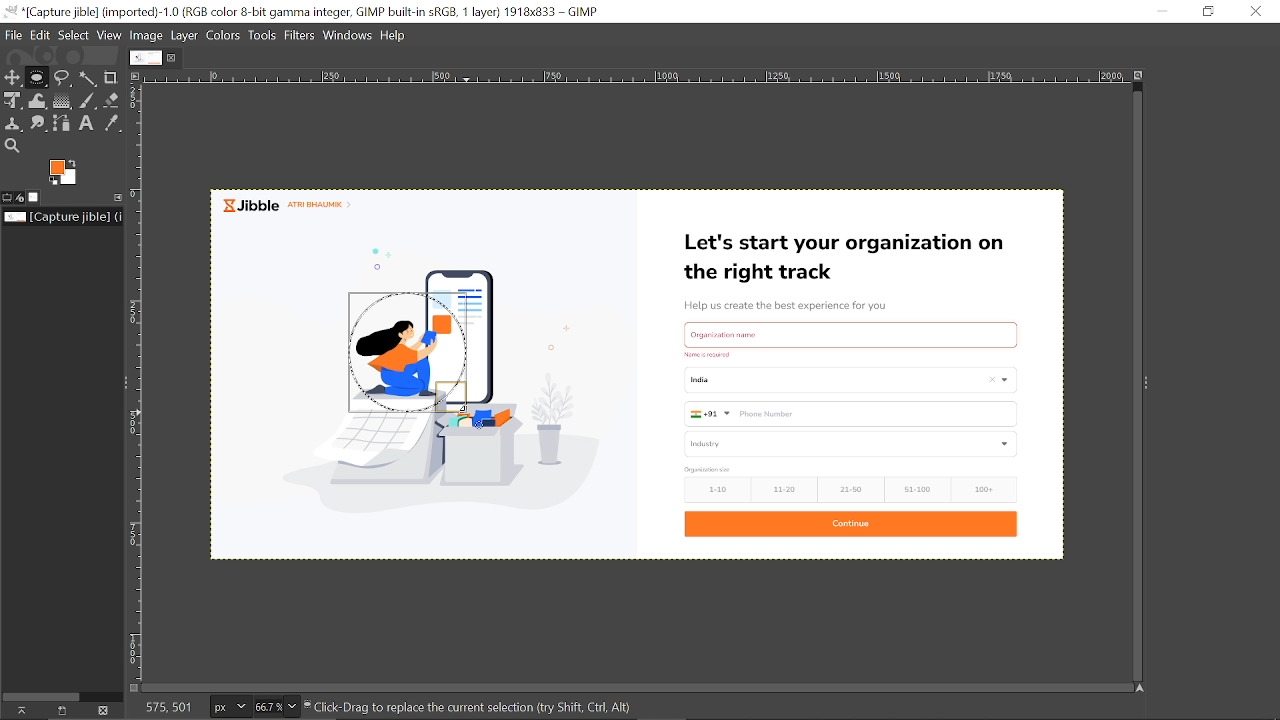 The image size is (1280, 720). What do you see at coordinates (7, 198) in the screenshot?
I see `Tool options` at bounding box center [7, 198].